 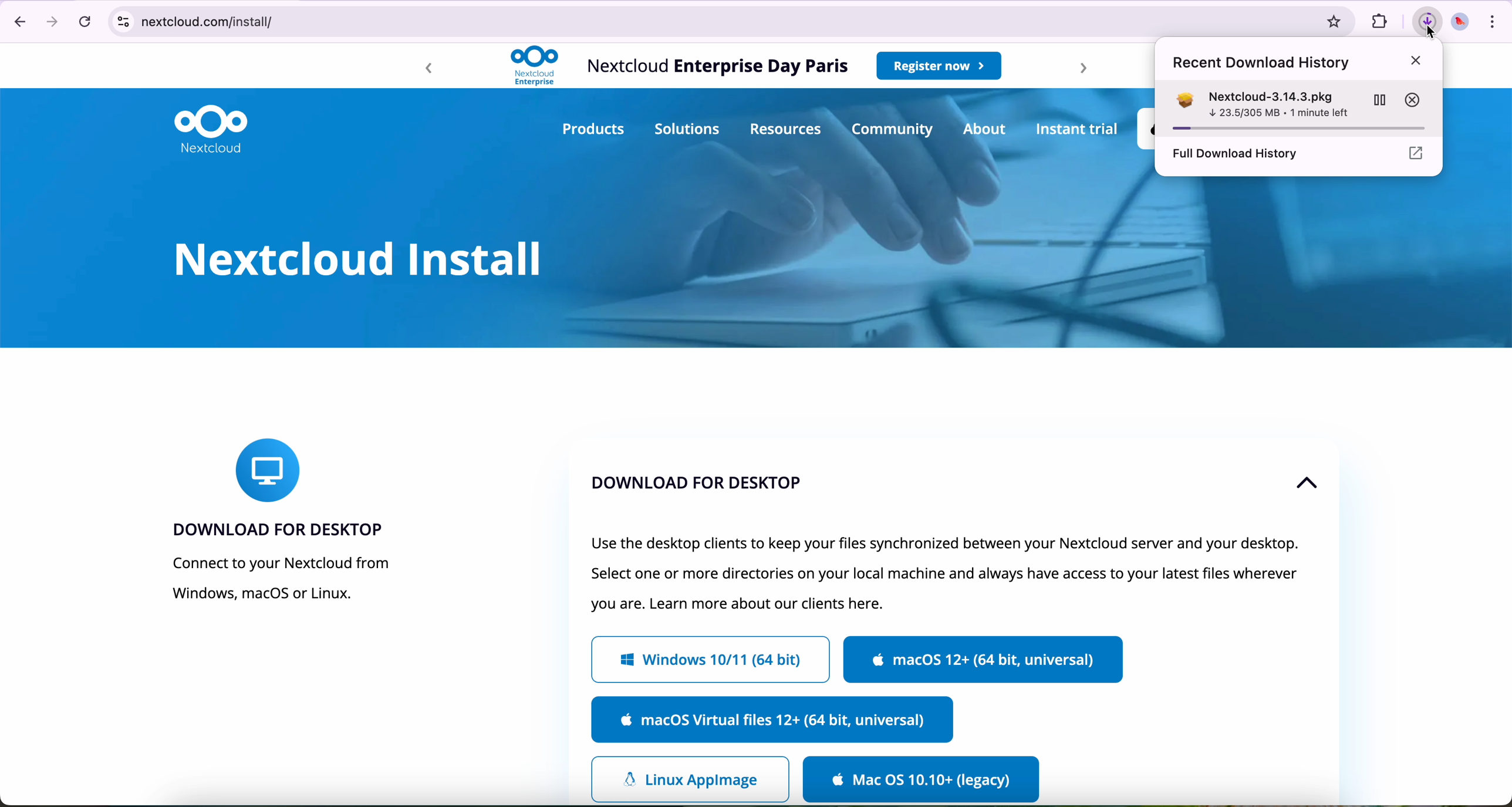 I want to click on download for Mac OS legacy, so click(x=919, y=781).